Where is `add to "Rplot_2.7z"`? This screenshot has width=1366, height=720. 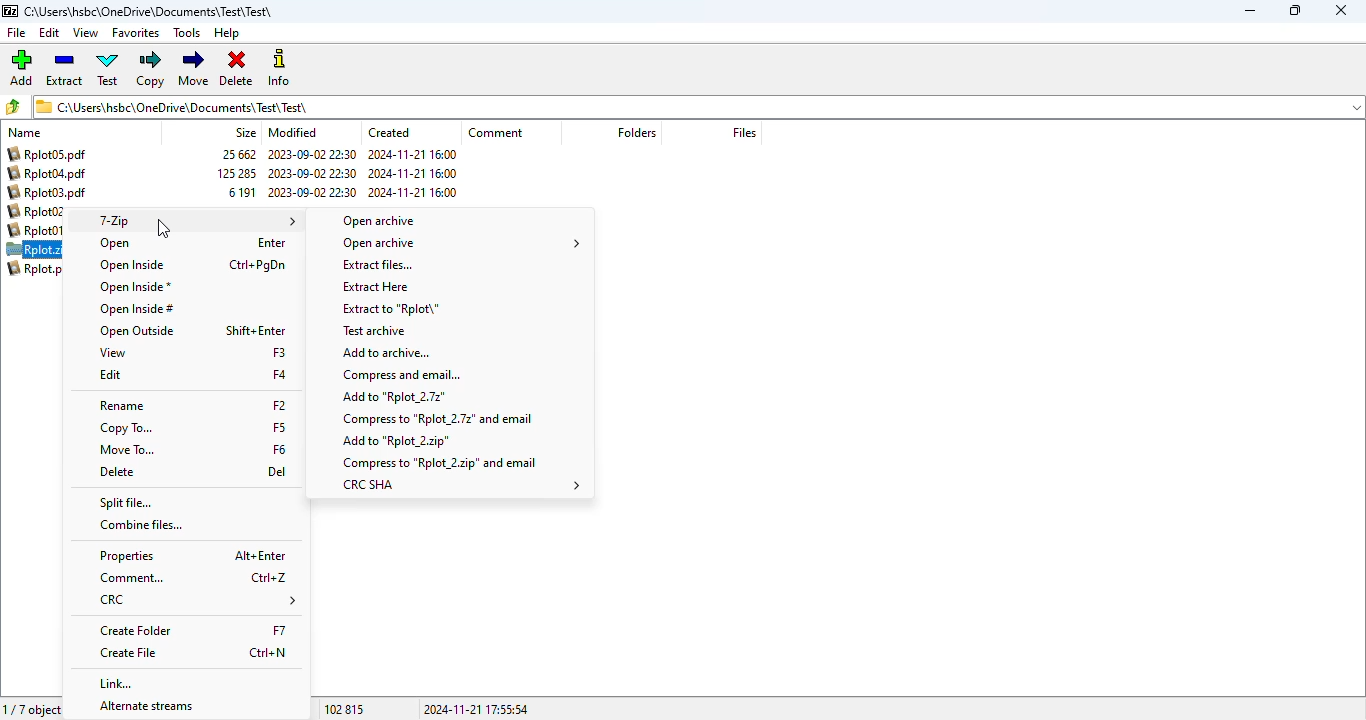 add to "Rplot_2.7z" is located at coordinates (395, 398).